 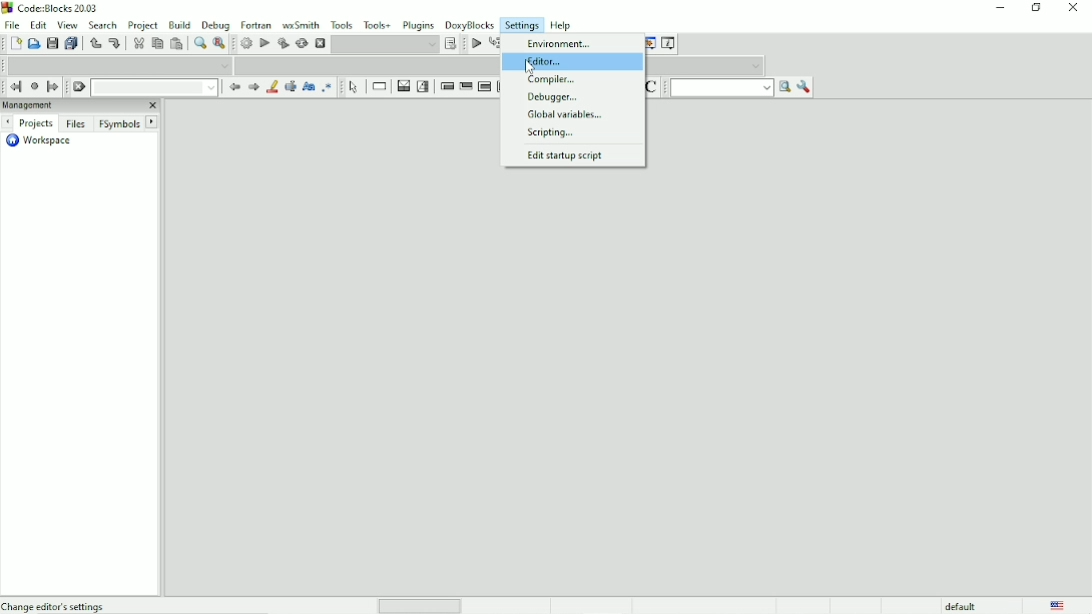 What do you see at coordinates (55, 87) in the screenshot?
I see `Jump forward` at bounding box center [55, 87].